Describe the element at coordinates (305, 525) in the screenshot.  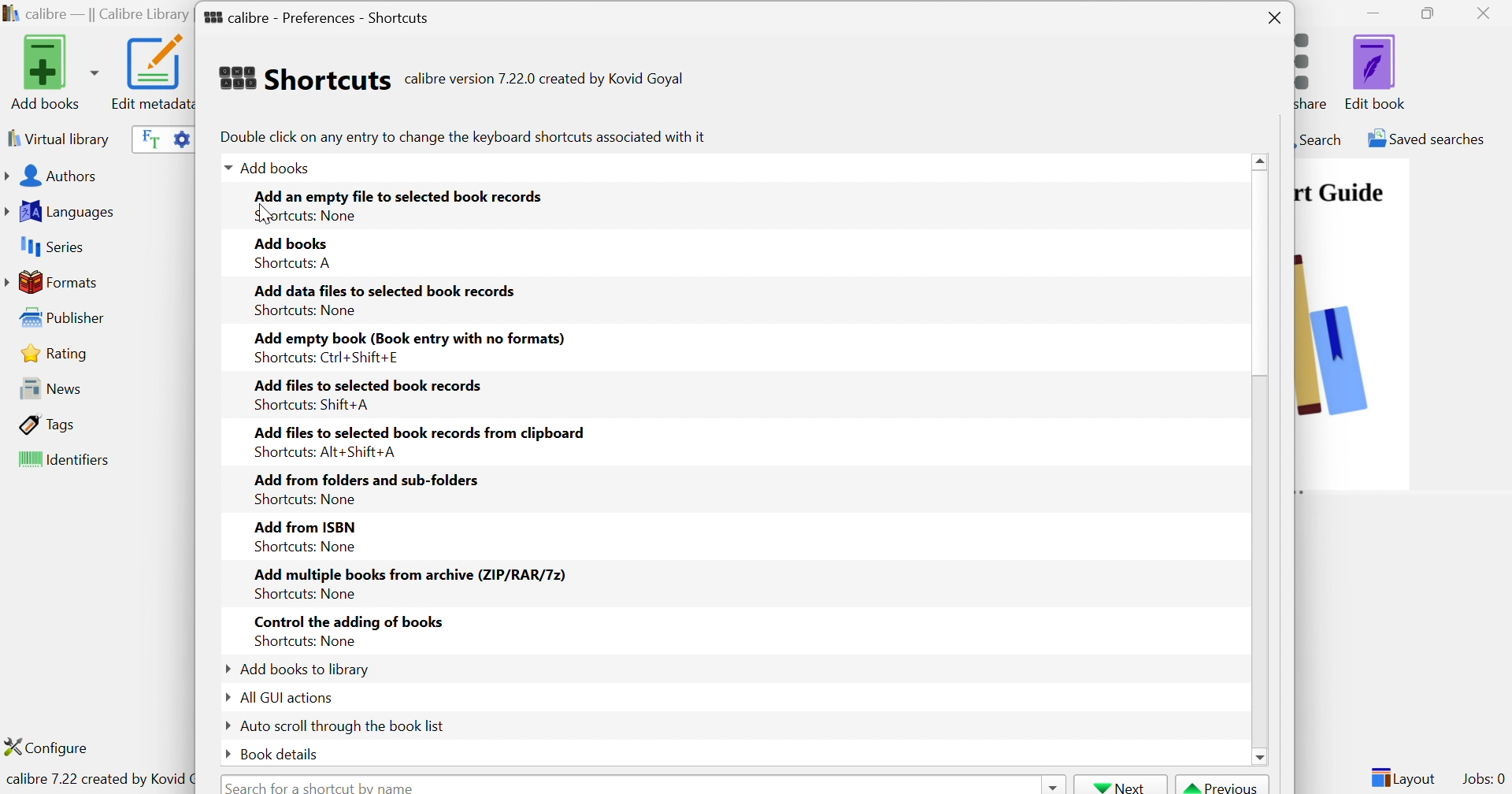
I see `Add from ISBN` at that location.